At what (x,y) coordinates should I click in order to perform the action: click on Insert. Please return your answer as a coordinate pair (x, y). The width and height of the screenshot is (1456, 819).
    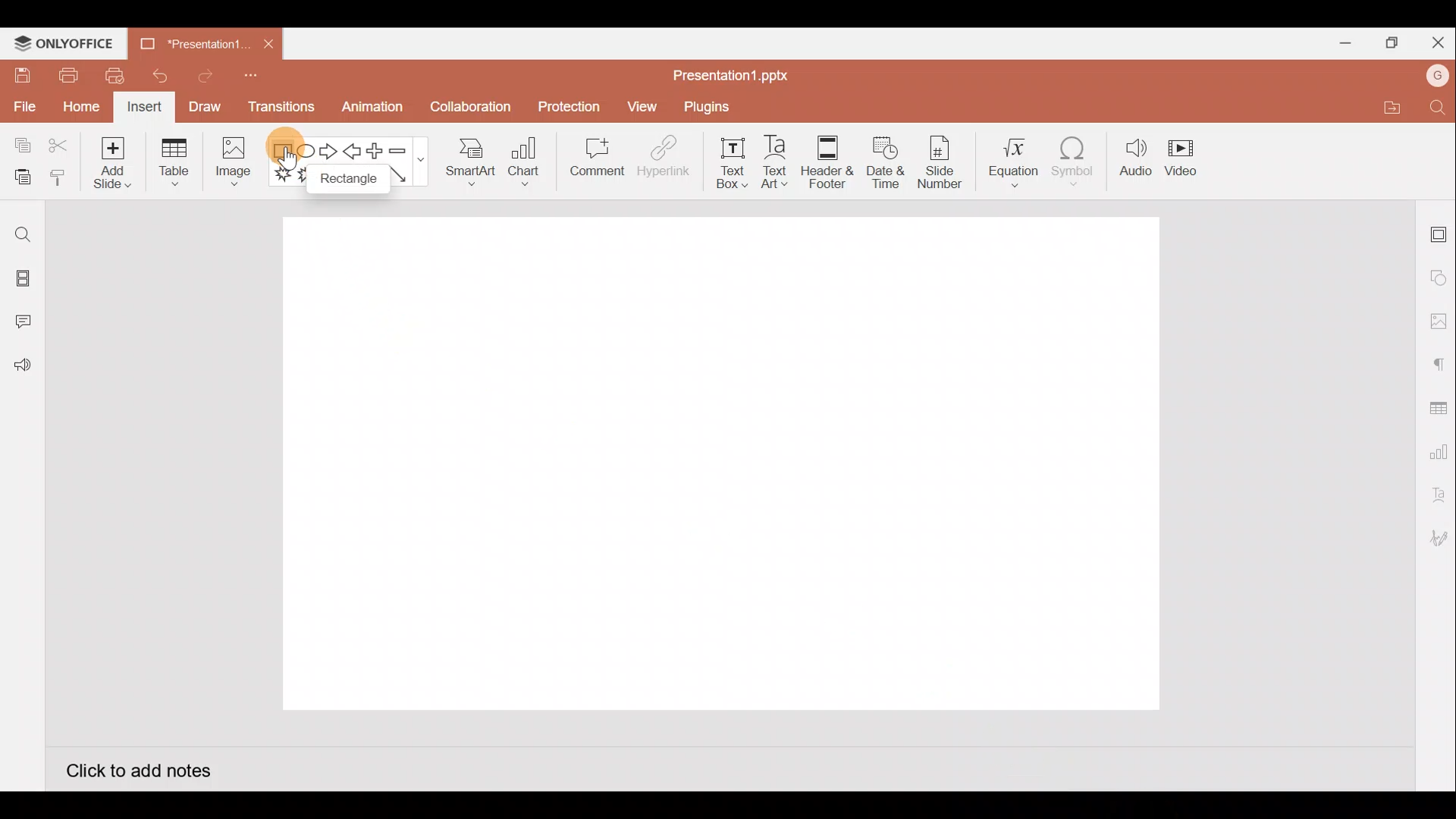
    Looking at the image, I should click on (145, 108).